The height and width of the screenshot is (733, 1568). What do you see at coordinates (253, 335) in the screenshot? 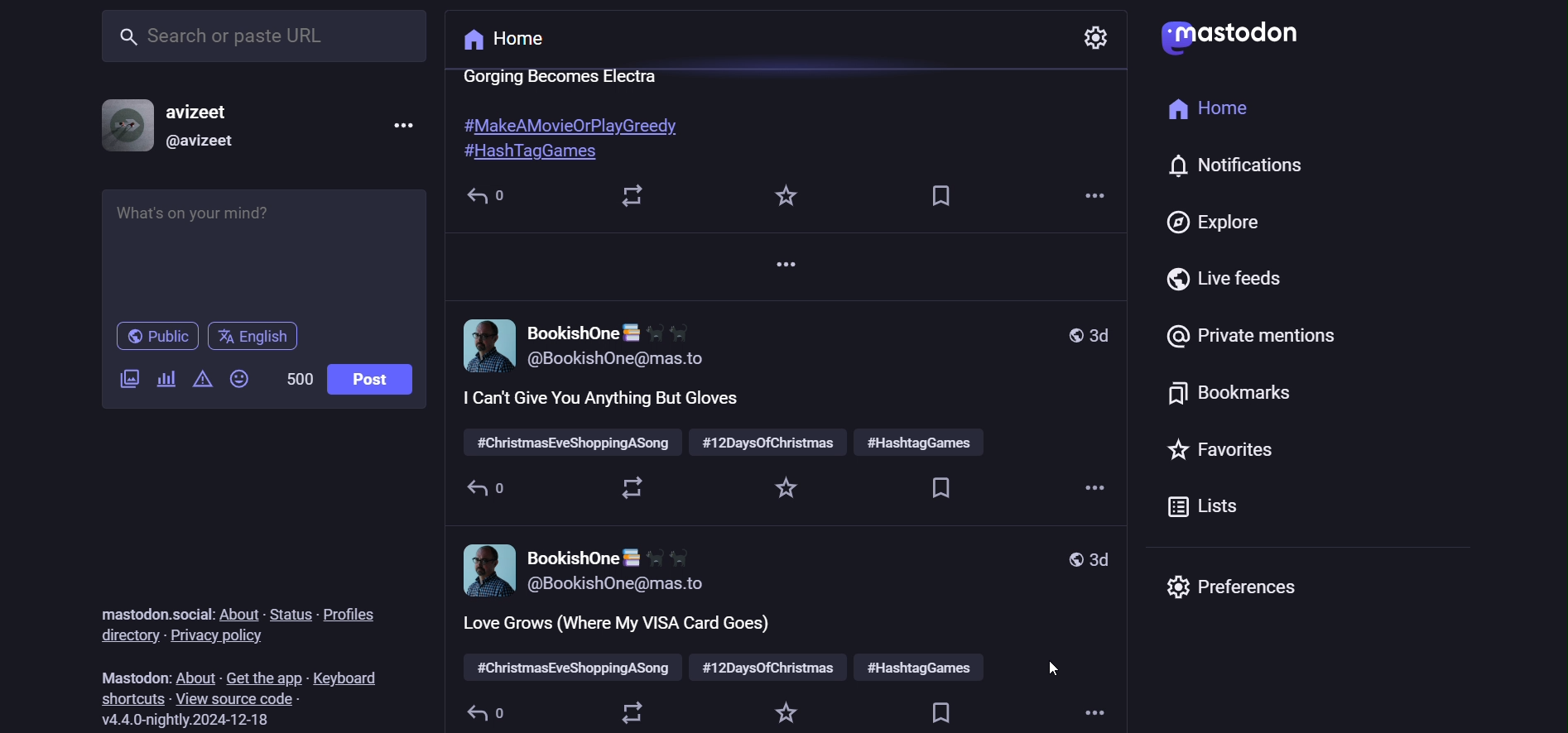
I see `english` at bounding box center [253, 335].